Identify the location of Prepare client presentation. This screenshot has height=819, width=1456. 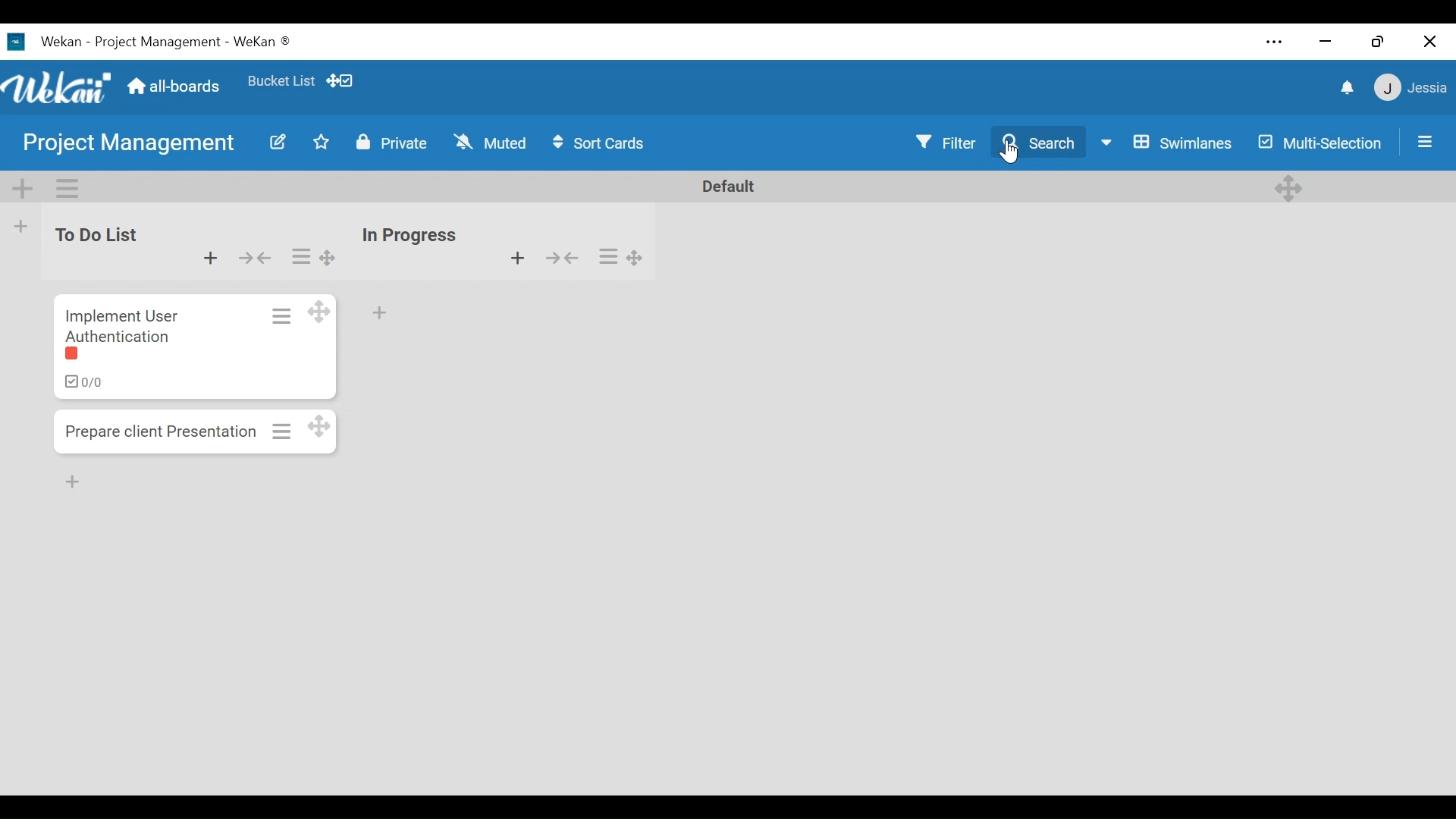
(162, 435).